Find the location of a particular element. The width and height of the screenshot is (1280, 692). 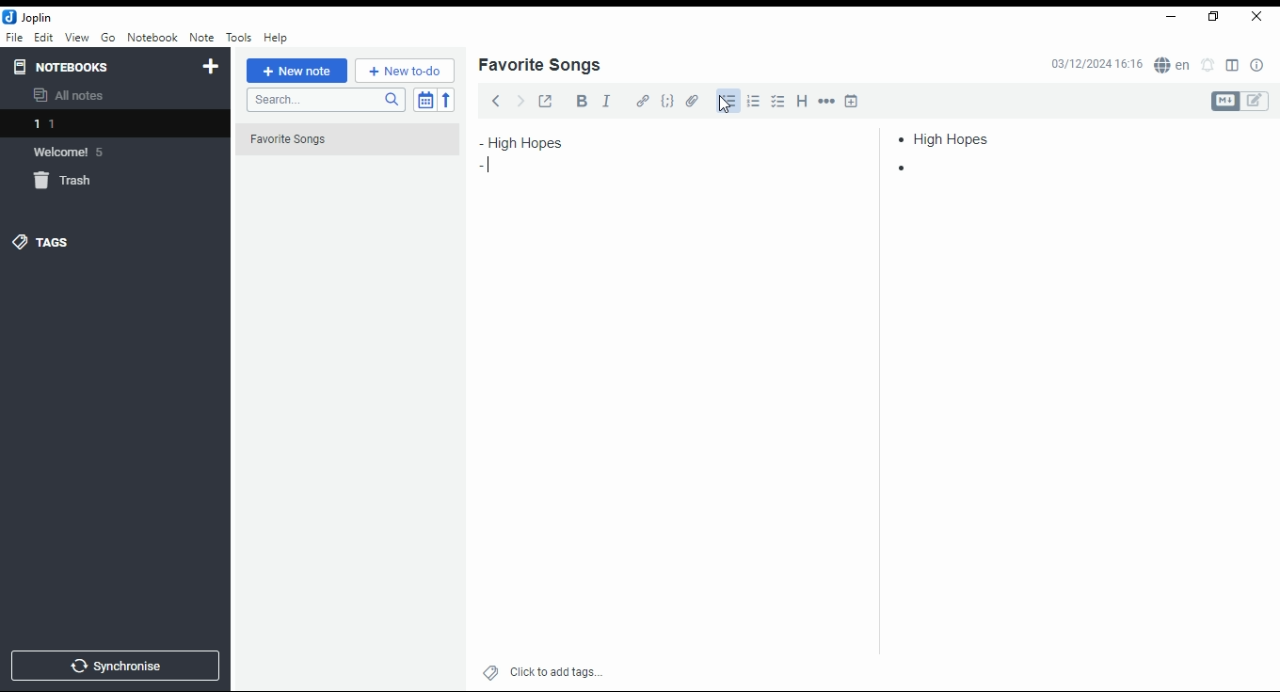

new notebook is located at coordinates (211, 67).